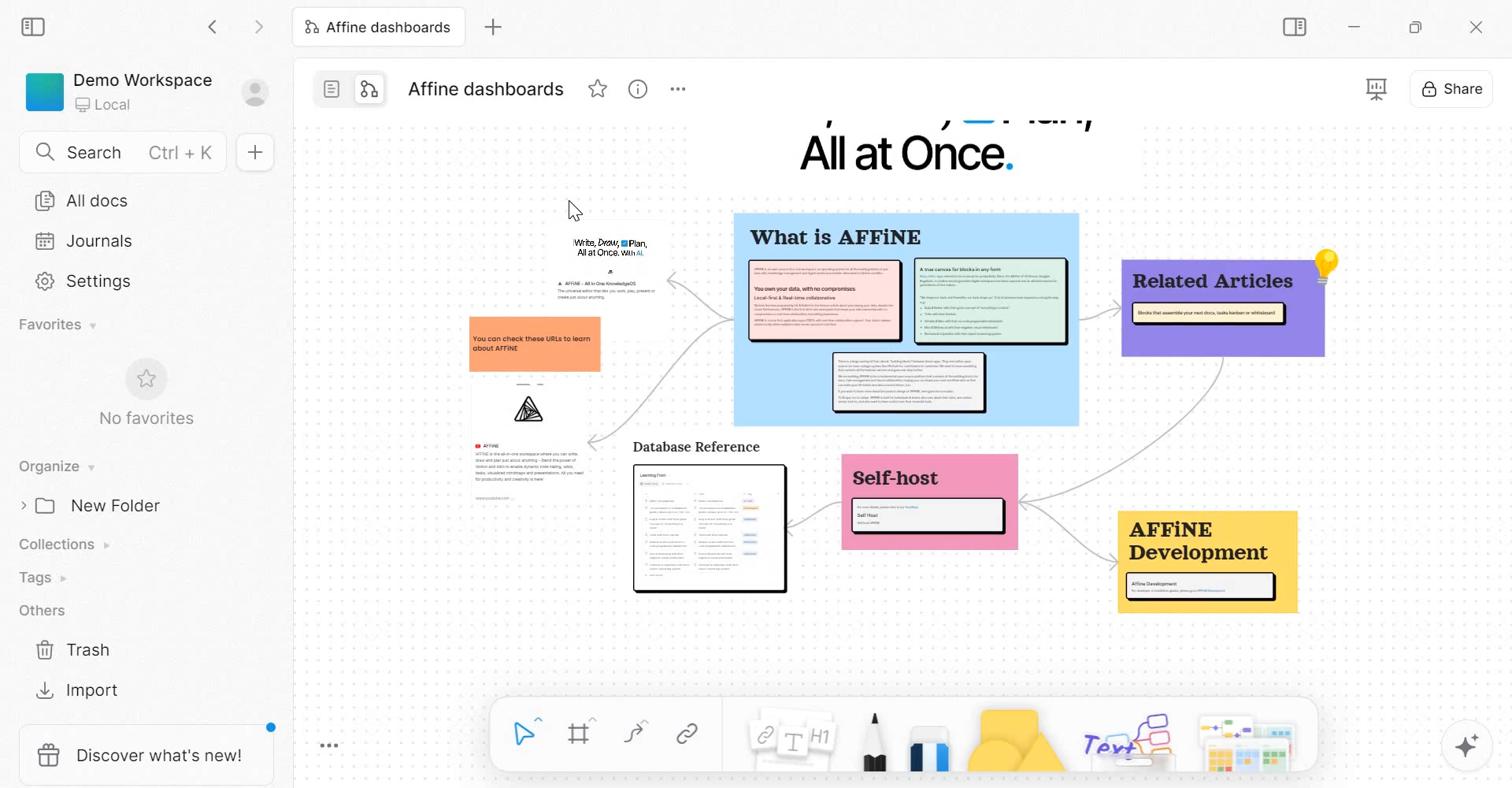 The width and height of the screenshot is (1512, 788). I want to click on Go back, so click(217, 30).